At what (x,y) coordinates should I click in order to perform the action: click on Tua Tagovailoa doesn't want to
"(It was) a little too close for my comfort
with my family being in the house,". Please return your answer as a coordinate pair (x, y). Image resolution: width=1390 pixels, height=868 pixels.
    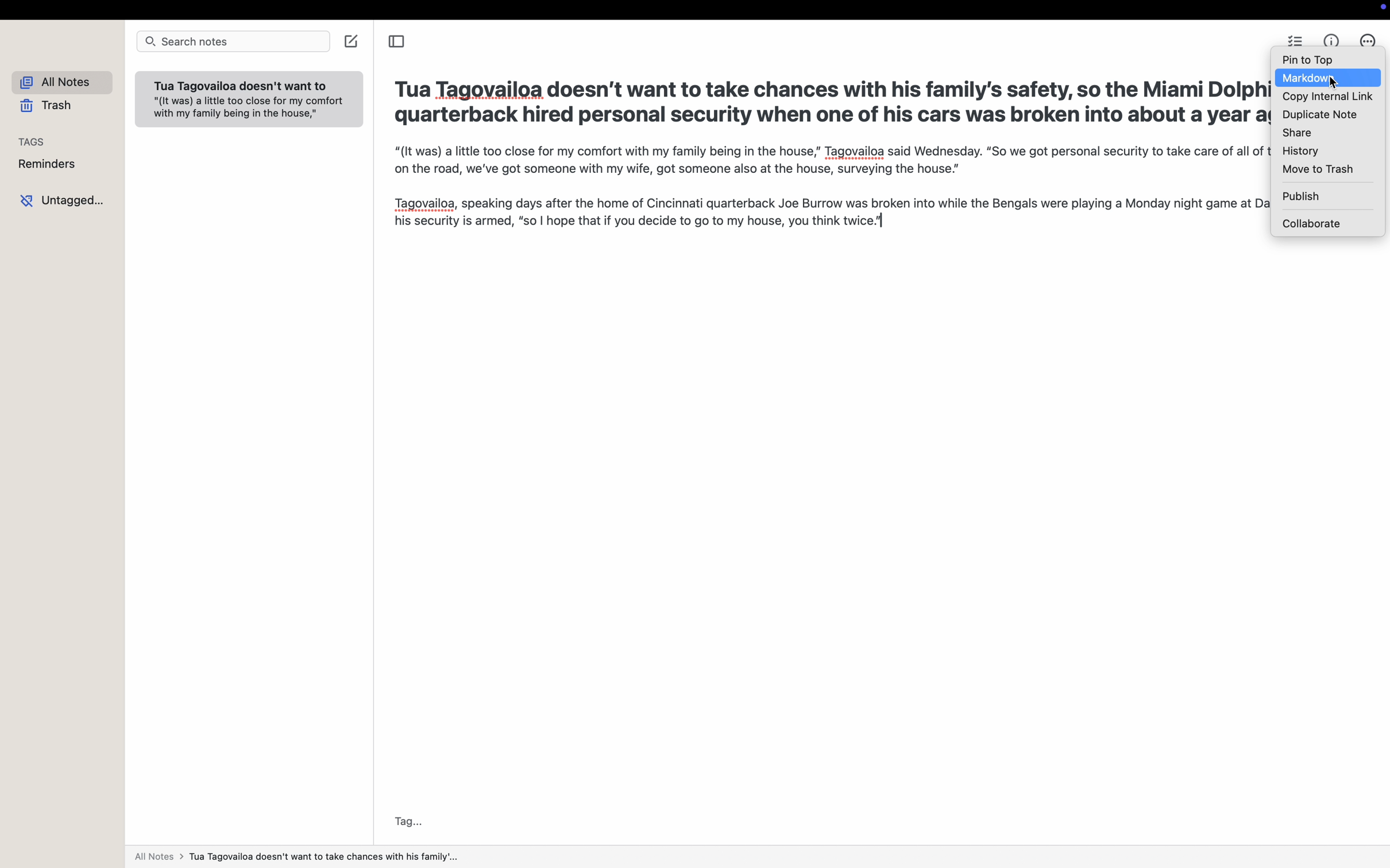
    Looking at the image, I should click on (249, 102).